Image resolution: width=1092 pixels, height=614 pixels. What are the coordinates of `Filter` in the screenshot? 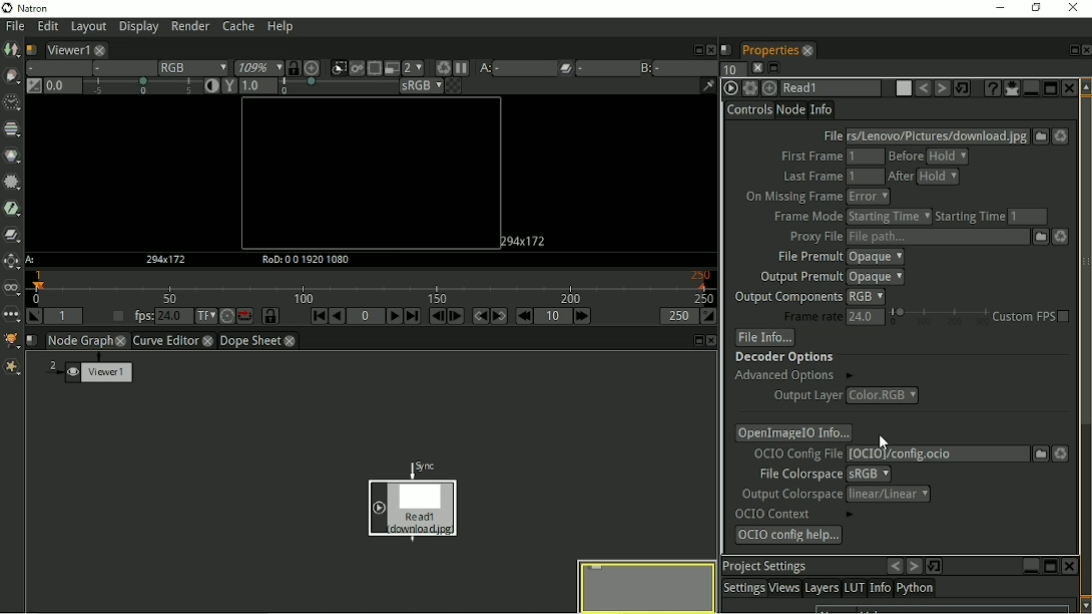 It's located at (11, 181).